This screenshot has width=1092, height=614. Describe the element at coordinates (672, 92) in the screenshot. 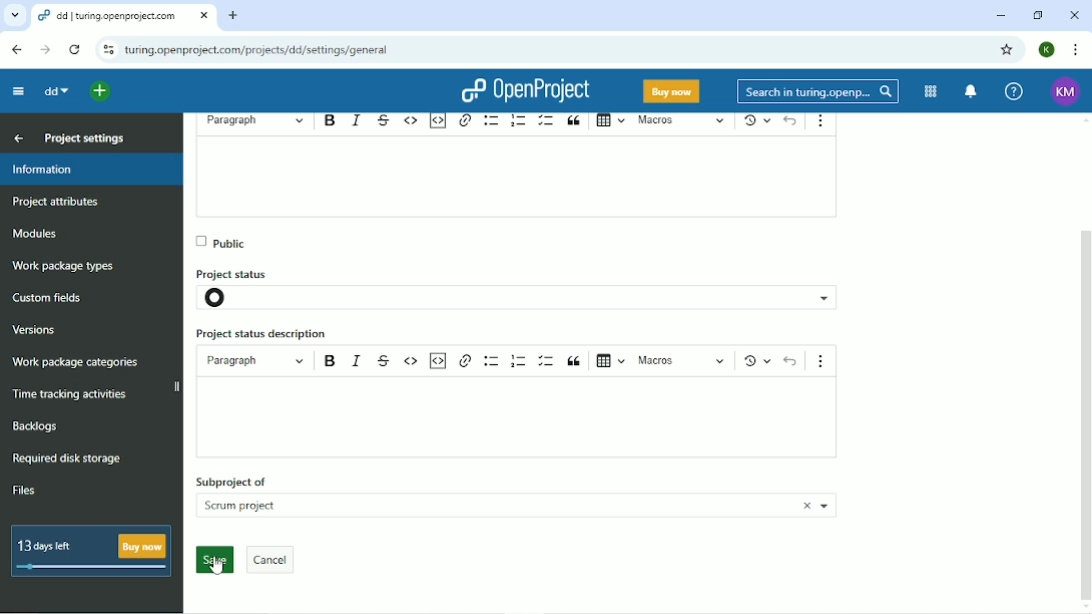

I see `Buy now` at that location.